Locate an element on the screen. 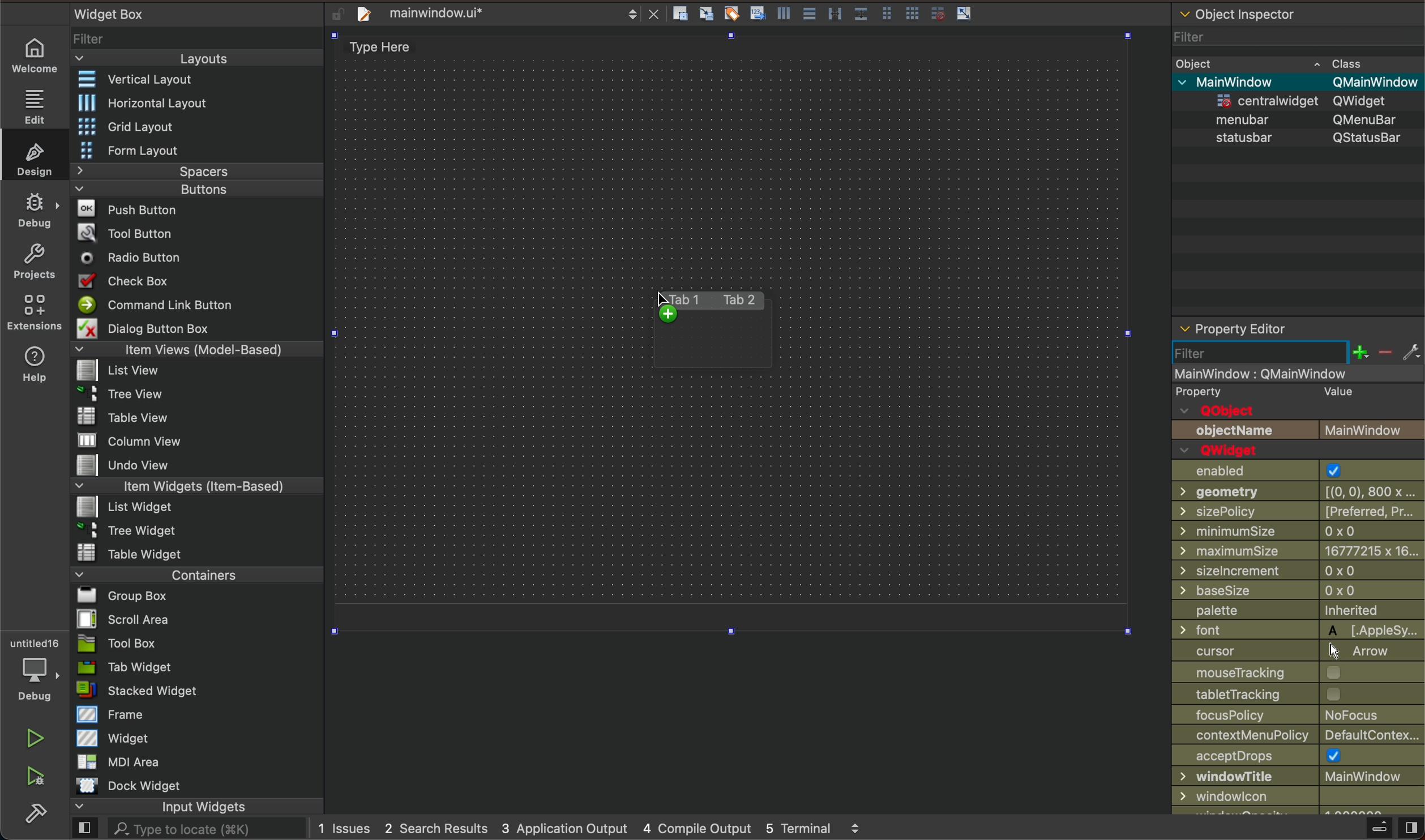  debug is located at coordinates (35, 209).